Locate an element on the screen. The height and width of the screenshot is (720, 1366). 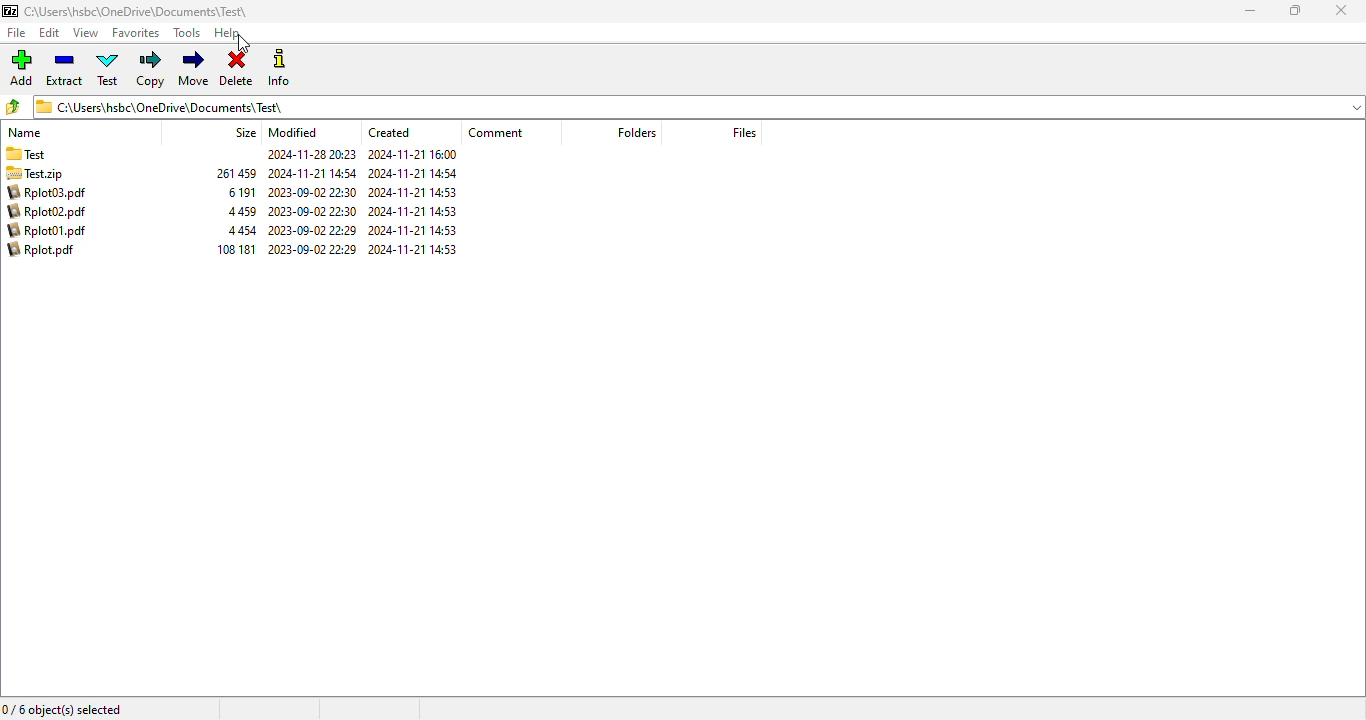
Rplot.pdf is located at coordinates (46, 250).